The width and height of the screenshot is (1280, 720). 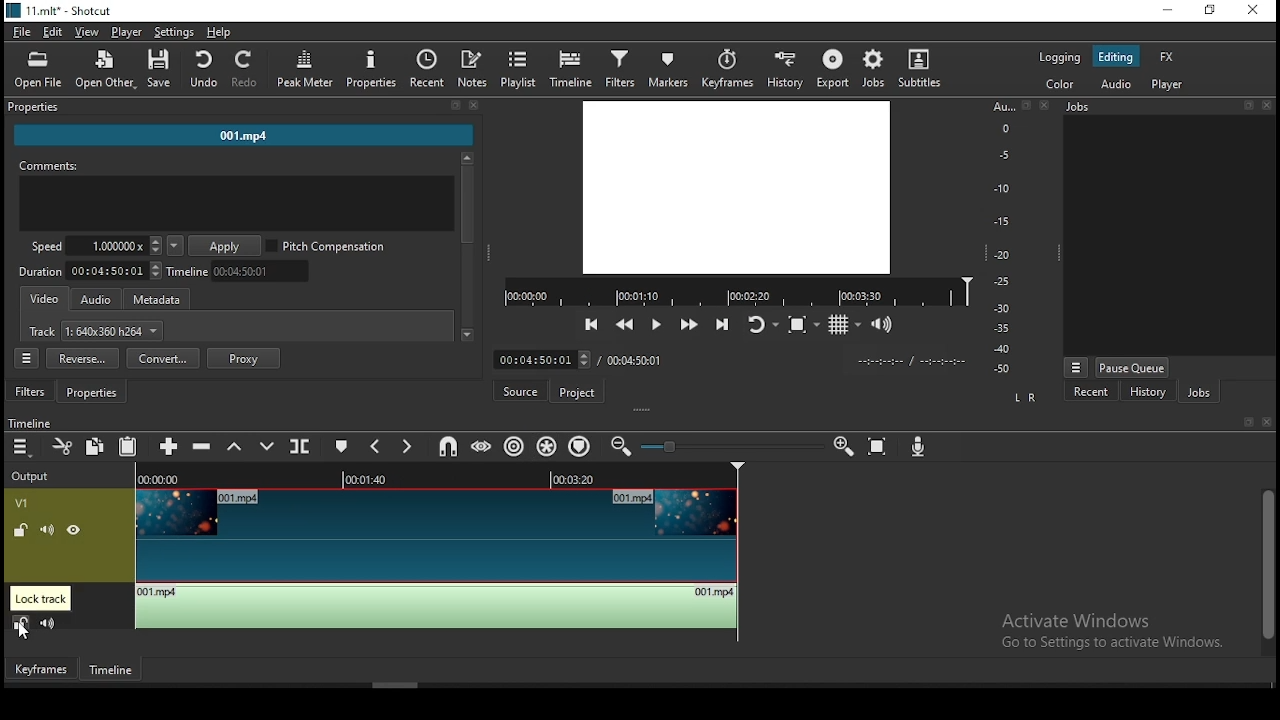 What do you see at coordinates (1017, 238) in the screenshot?
I see `audio scale` at bounding box center [1017, 238].